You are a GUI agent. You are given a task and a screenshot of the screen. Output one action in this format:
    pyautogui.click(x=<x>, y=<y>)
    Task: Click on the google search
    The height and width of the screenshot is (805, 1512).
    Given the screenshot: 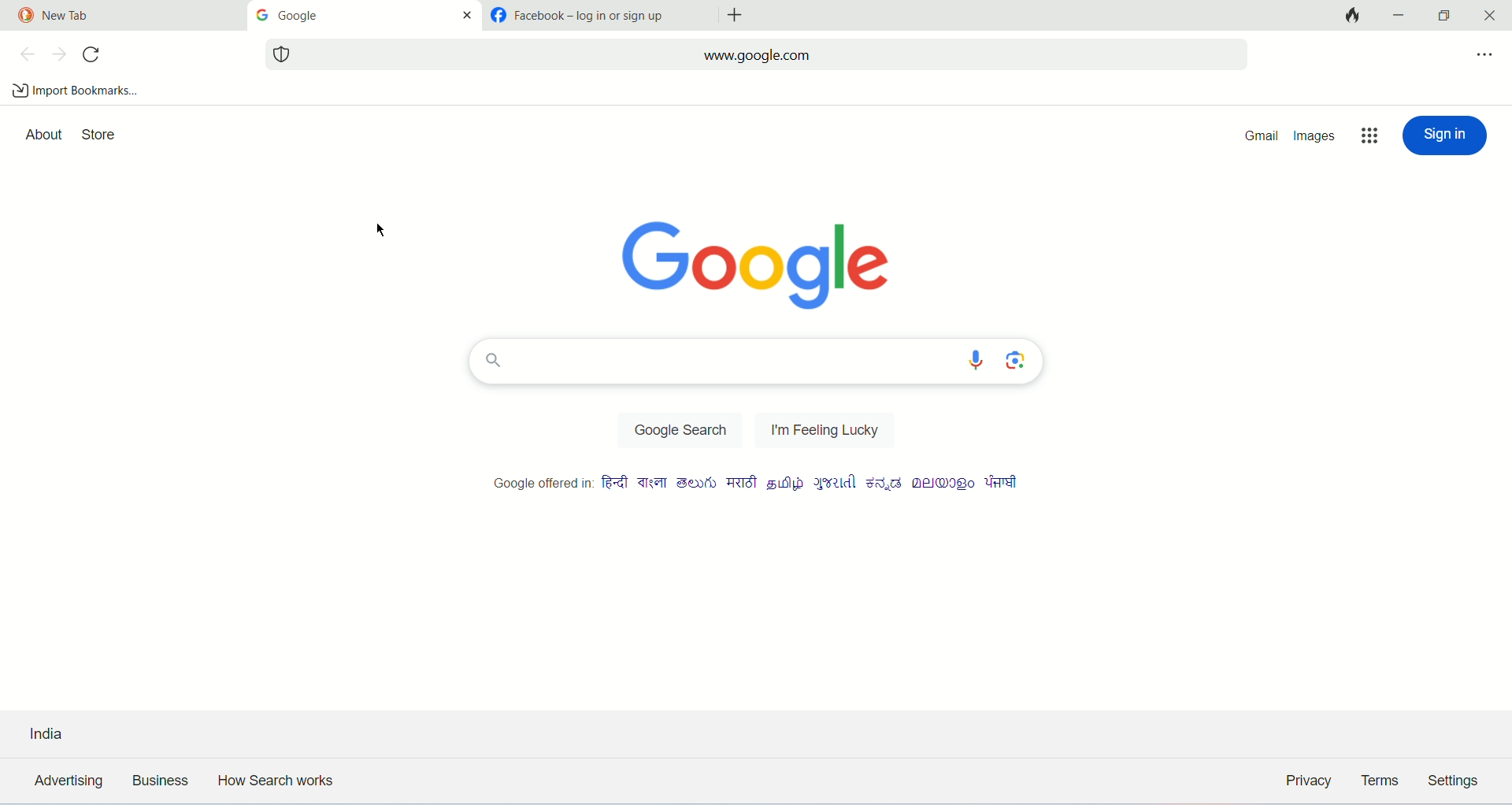 What is the action you would take?
    pyautogui.click(x=687, y=432)
    